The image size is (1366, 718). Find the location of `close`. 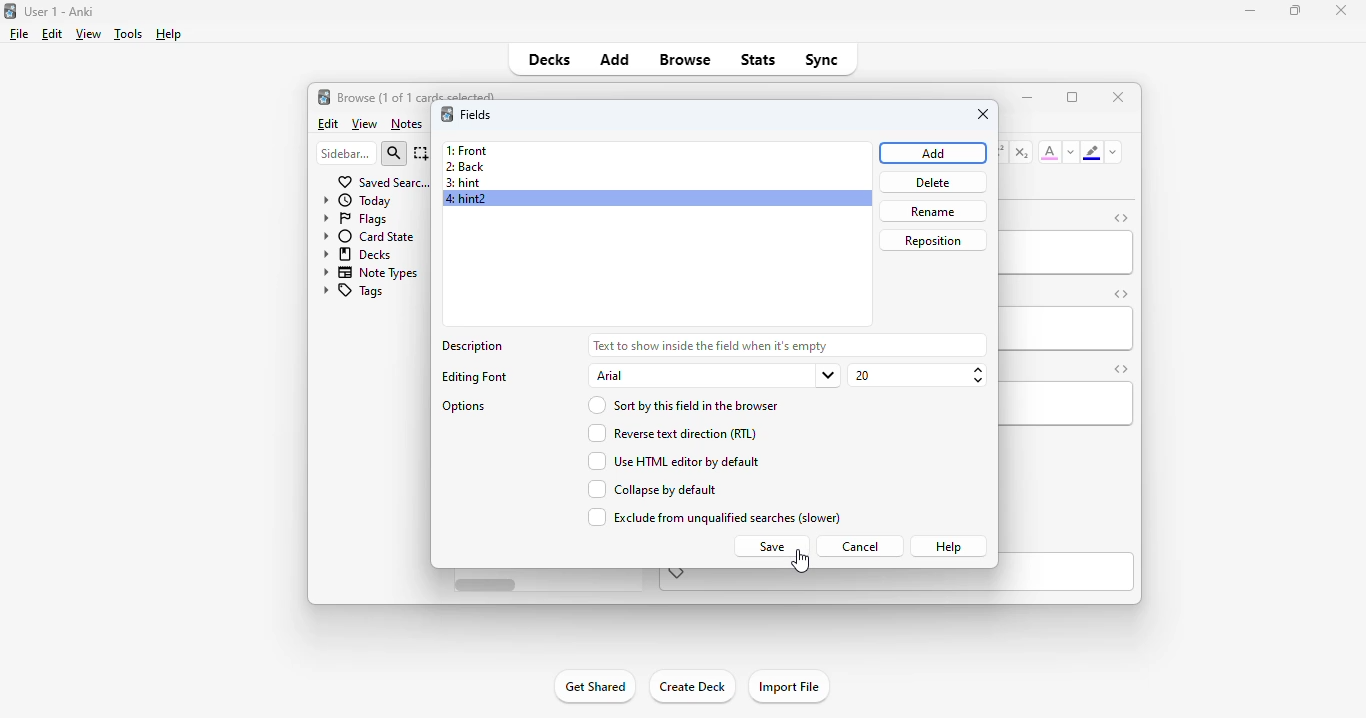

close is located at coordinates (984, 114).